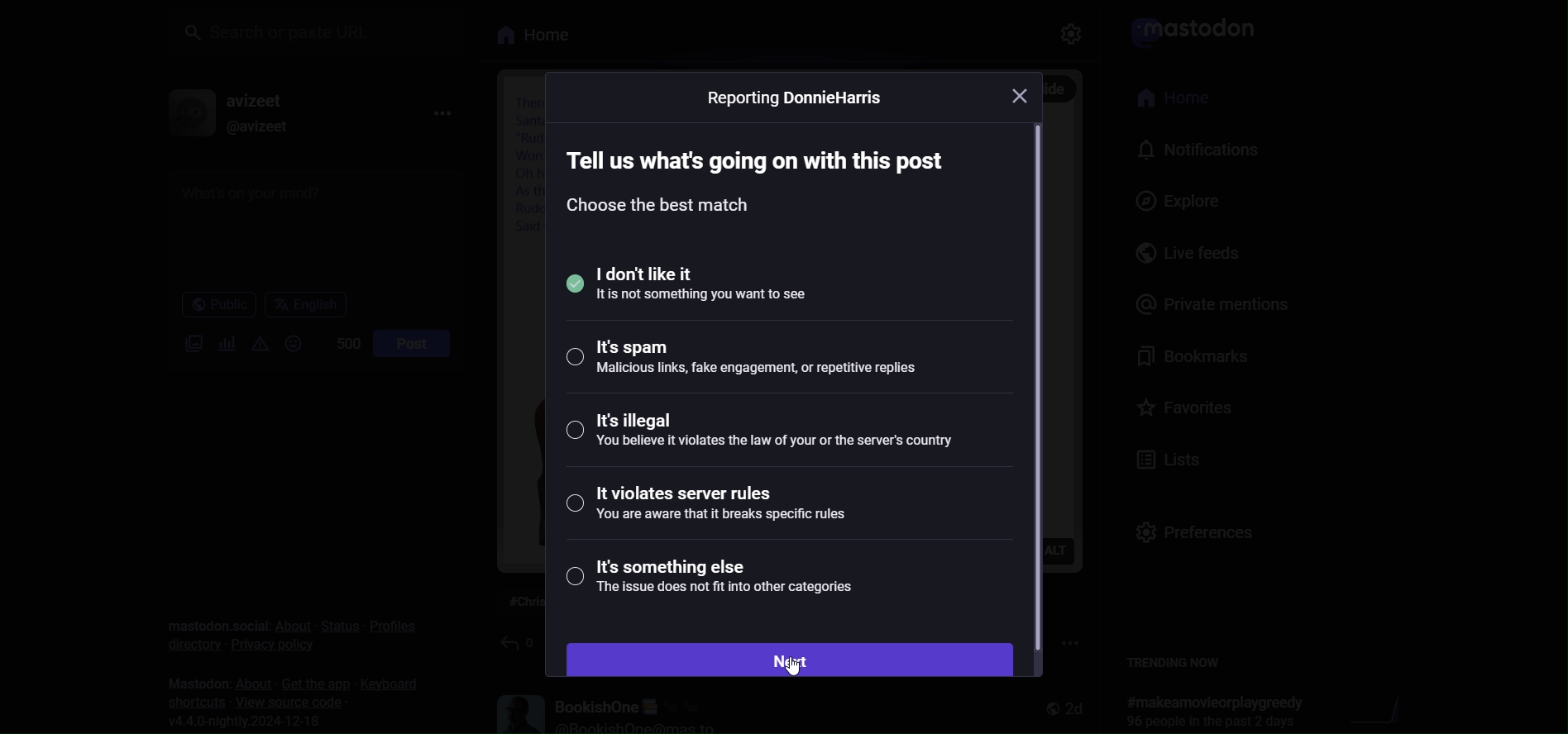  I want to click on private mention, so click(1207, 302).